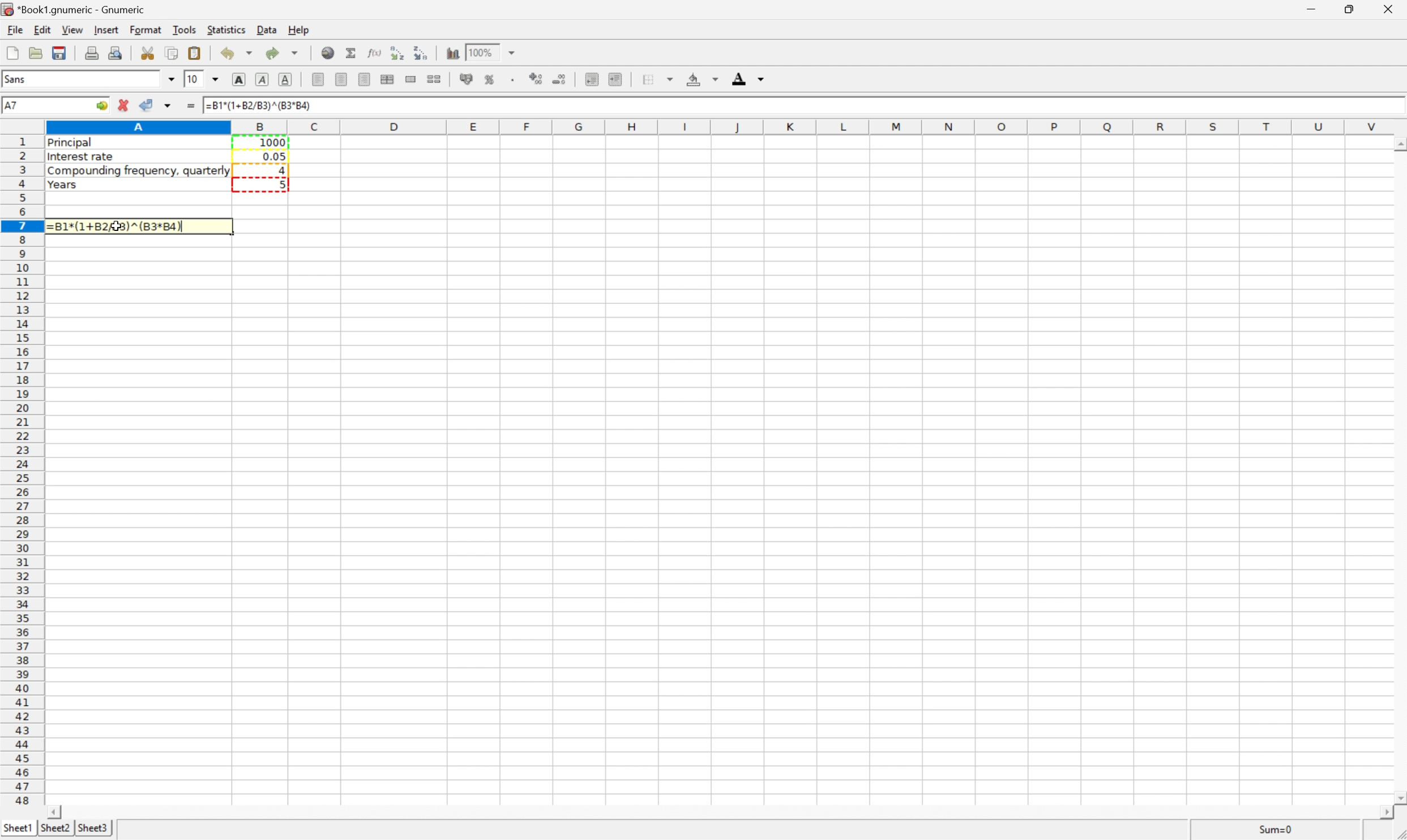 This screenshot has height=840, width=1407. I want to click on merge range of cells, so click(411, 79).